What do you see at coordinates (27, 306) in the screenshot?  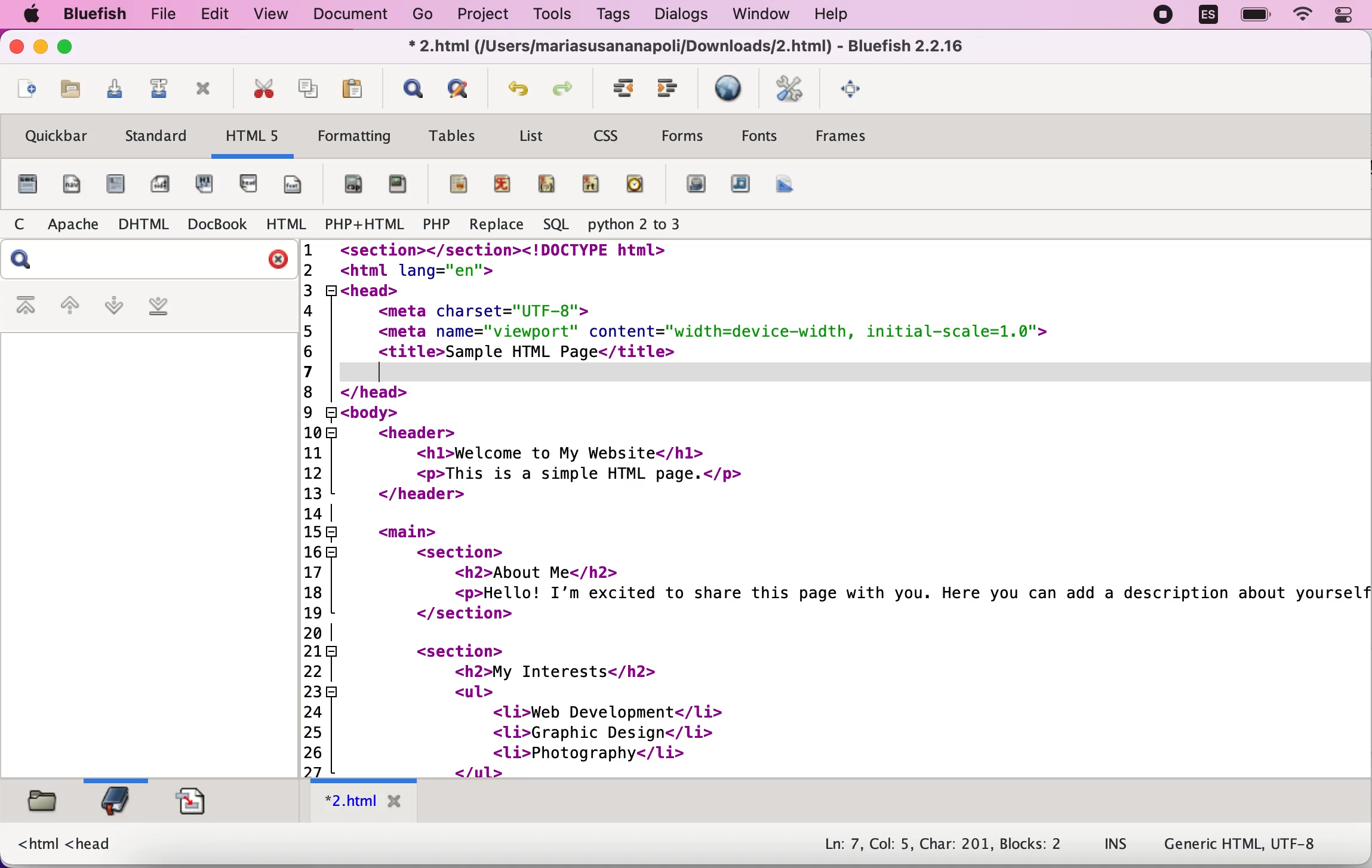 I see `first bookmark` at bounding box center [27, 306].